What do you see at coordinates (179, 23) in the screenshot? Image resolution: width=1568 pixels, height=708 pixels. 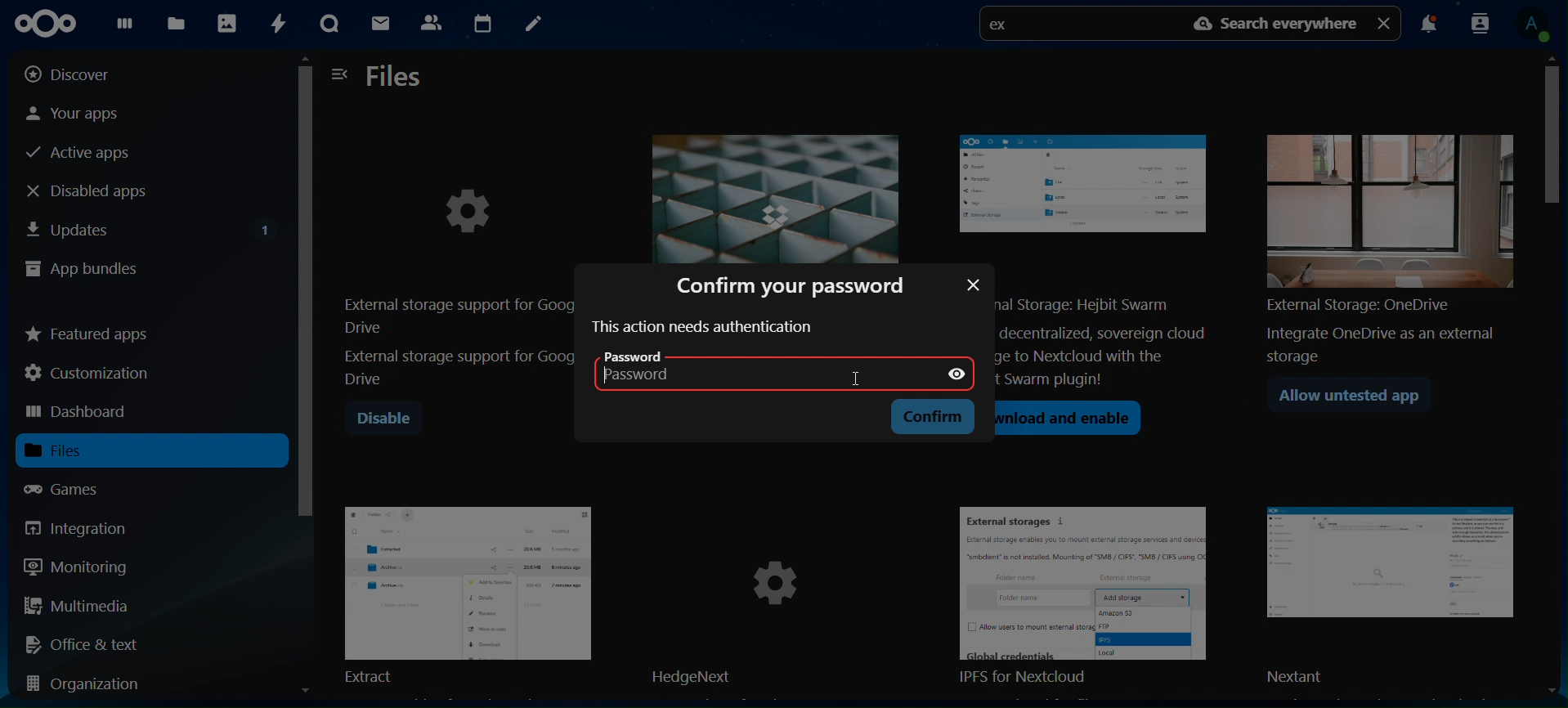 I see `files` at bounding box center [179, 23].